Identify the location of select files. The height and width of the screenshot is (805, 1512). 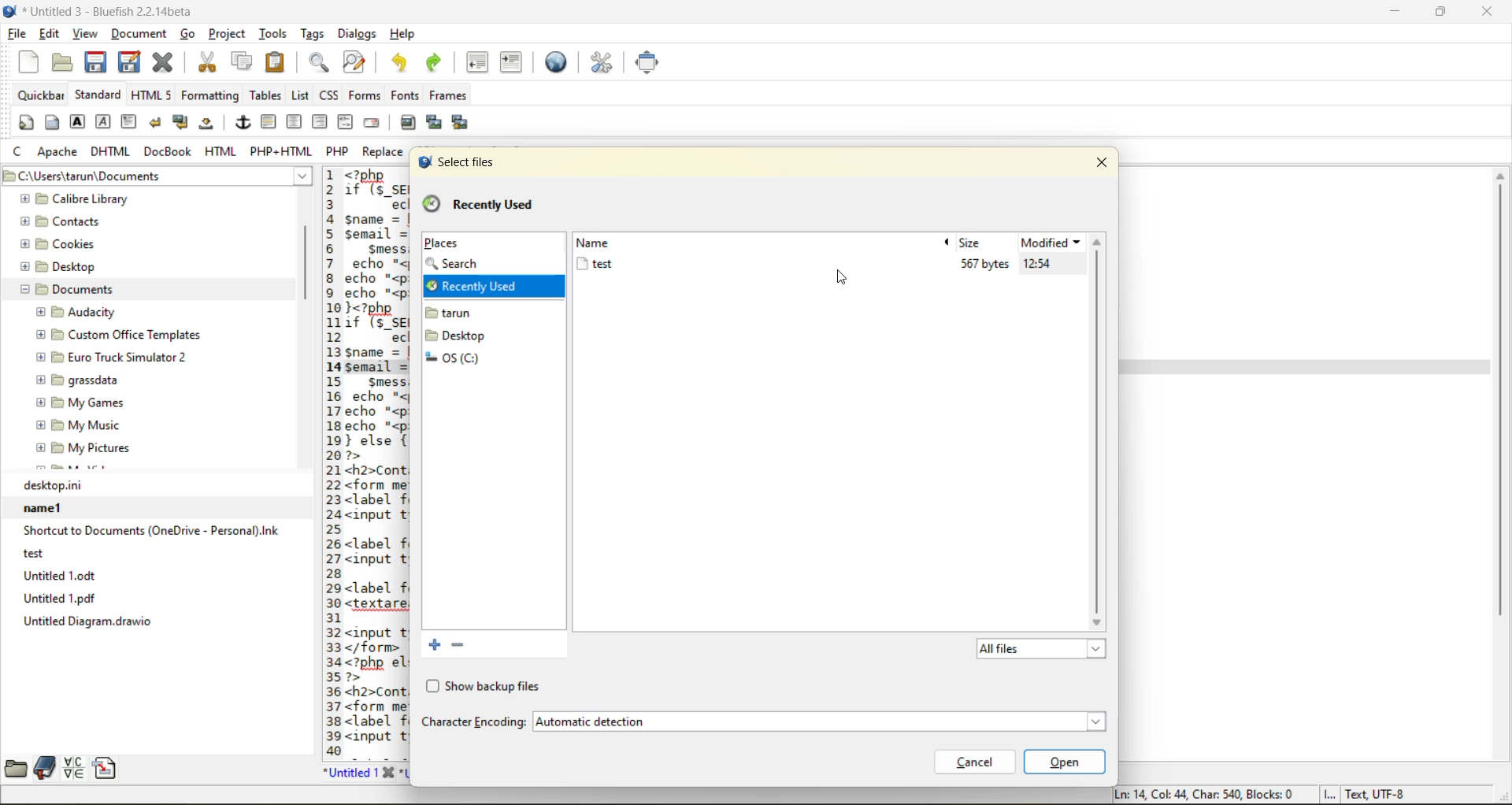
(454, 161).